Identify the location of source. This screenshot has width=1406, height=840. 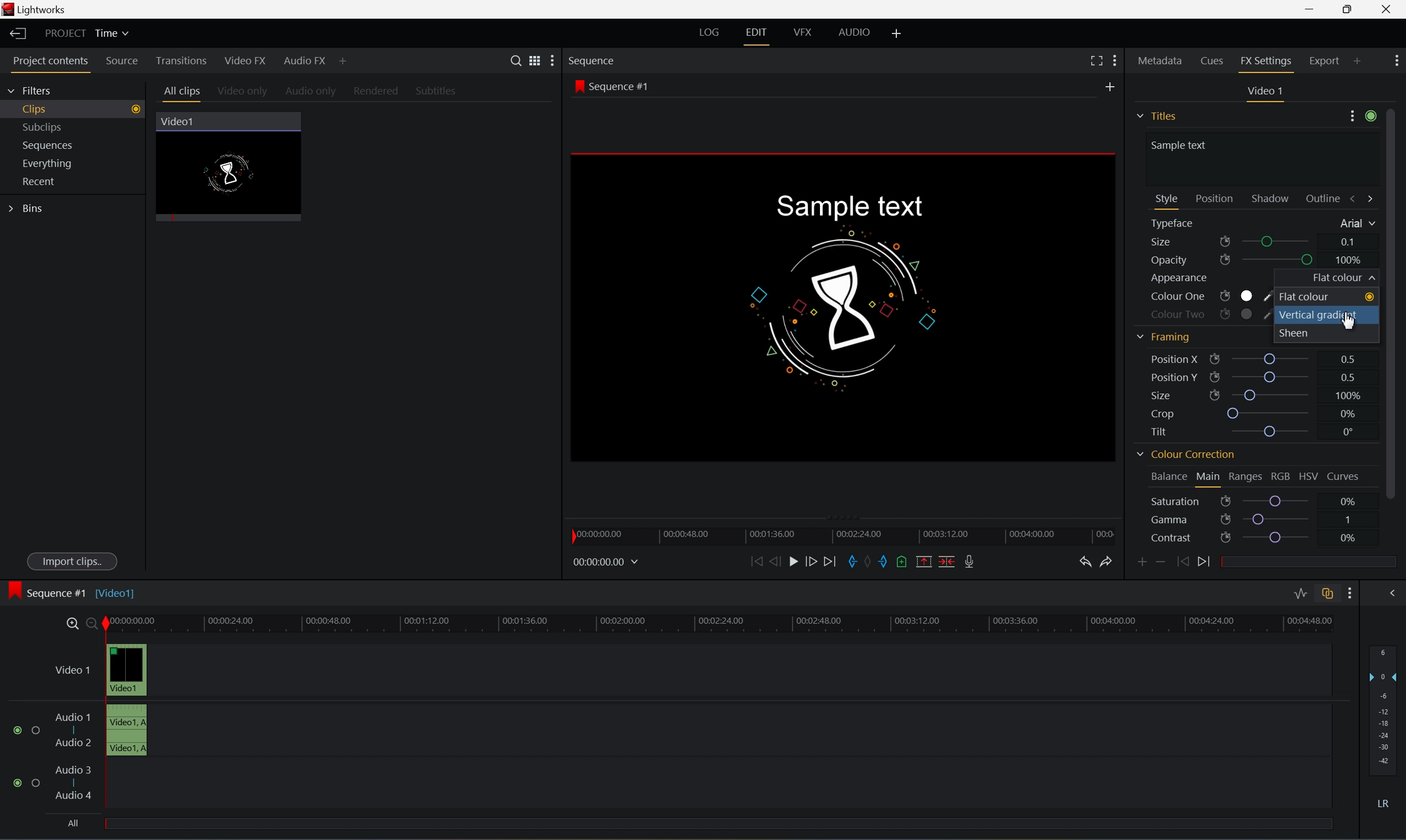
(123, 62).